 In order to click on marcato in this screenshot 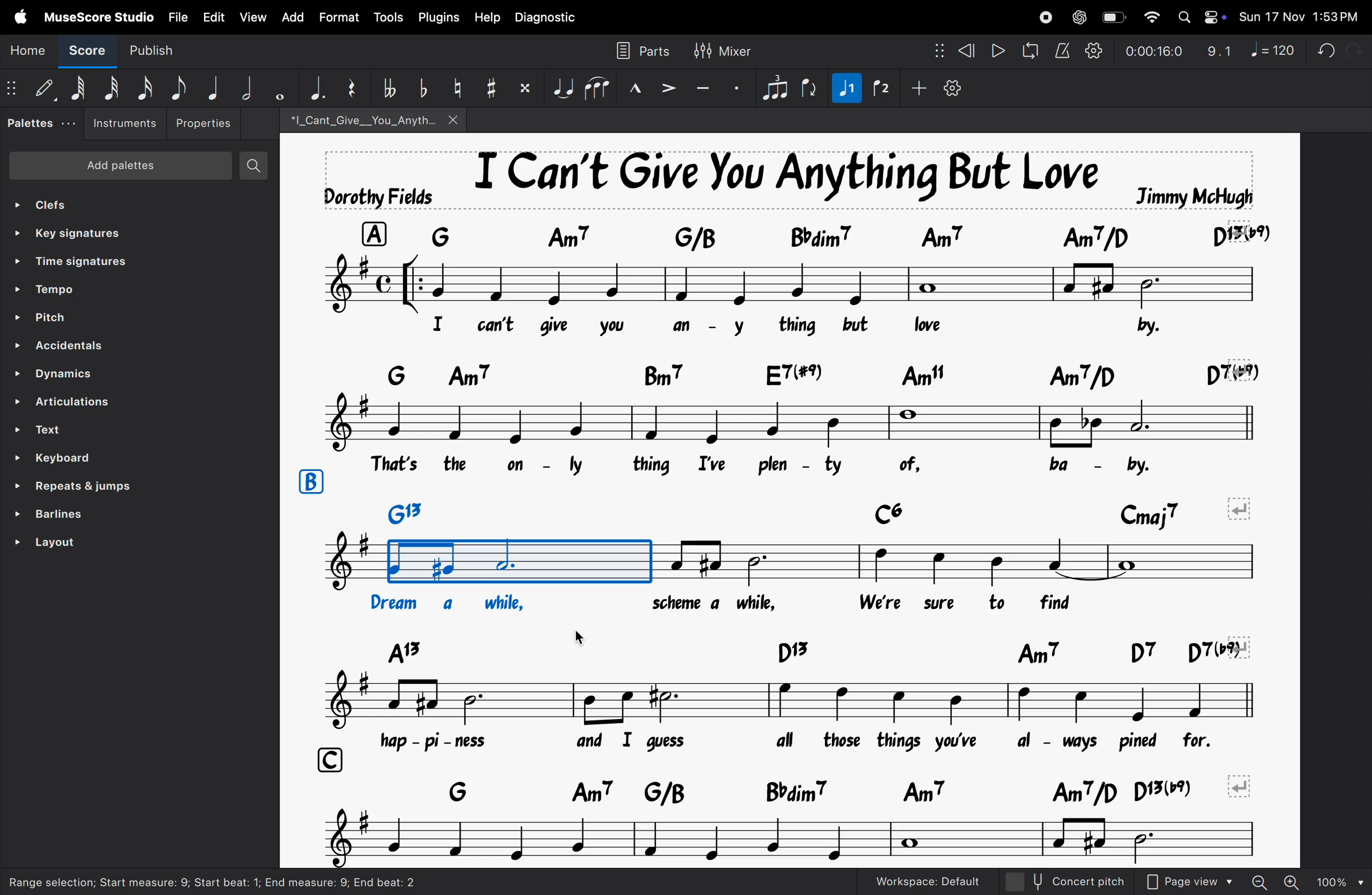, I will do `click(638, 89)`.